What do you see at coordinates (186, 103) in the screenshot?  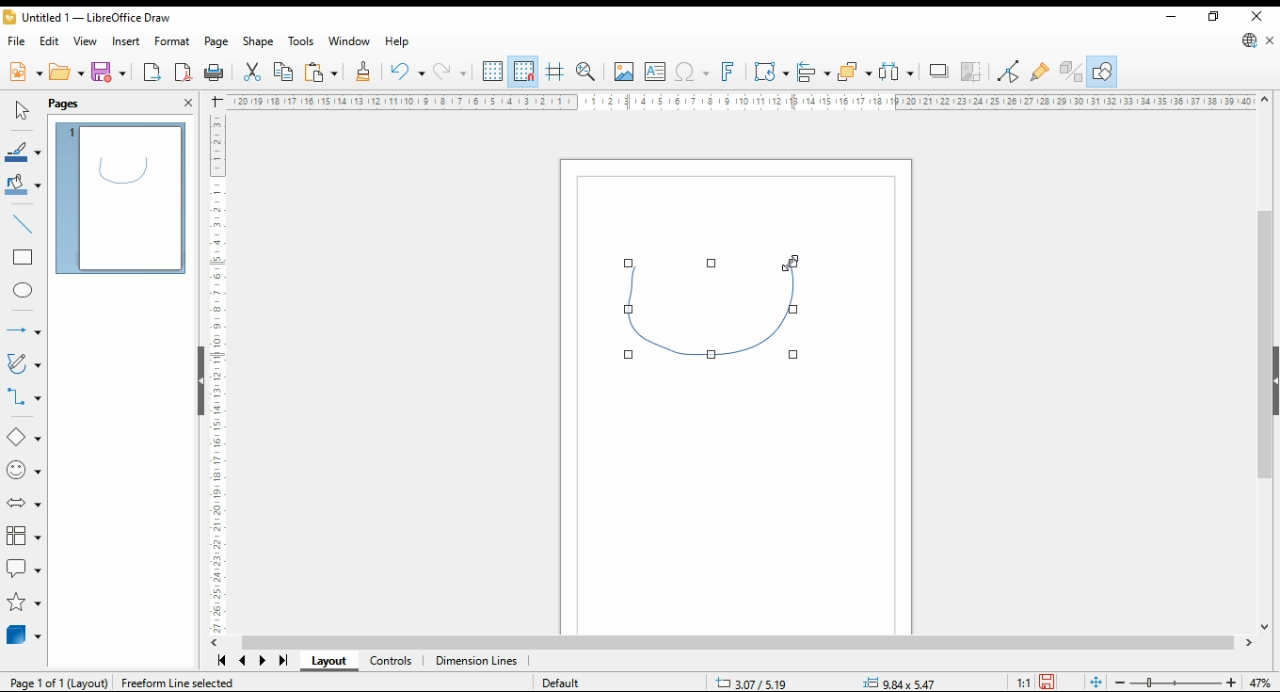 I see `close pane` at bounding box center [186, 103].